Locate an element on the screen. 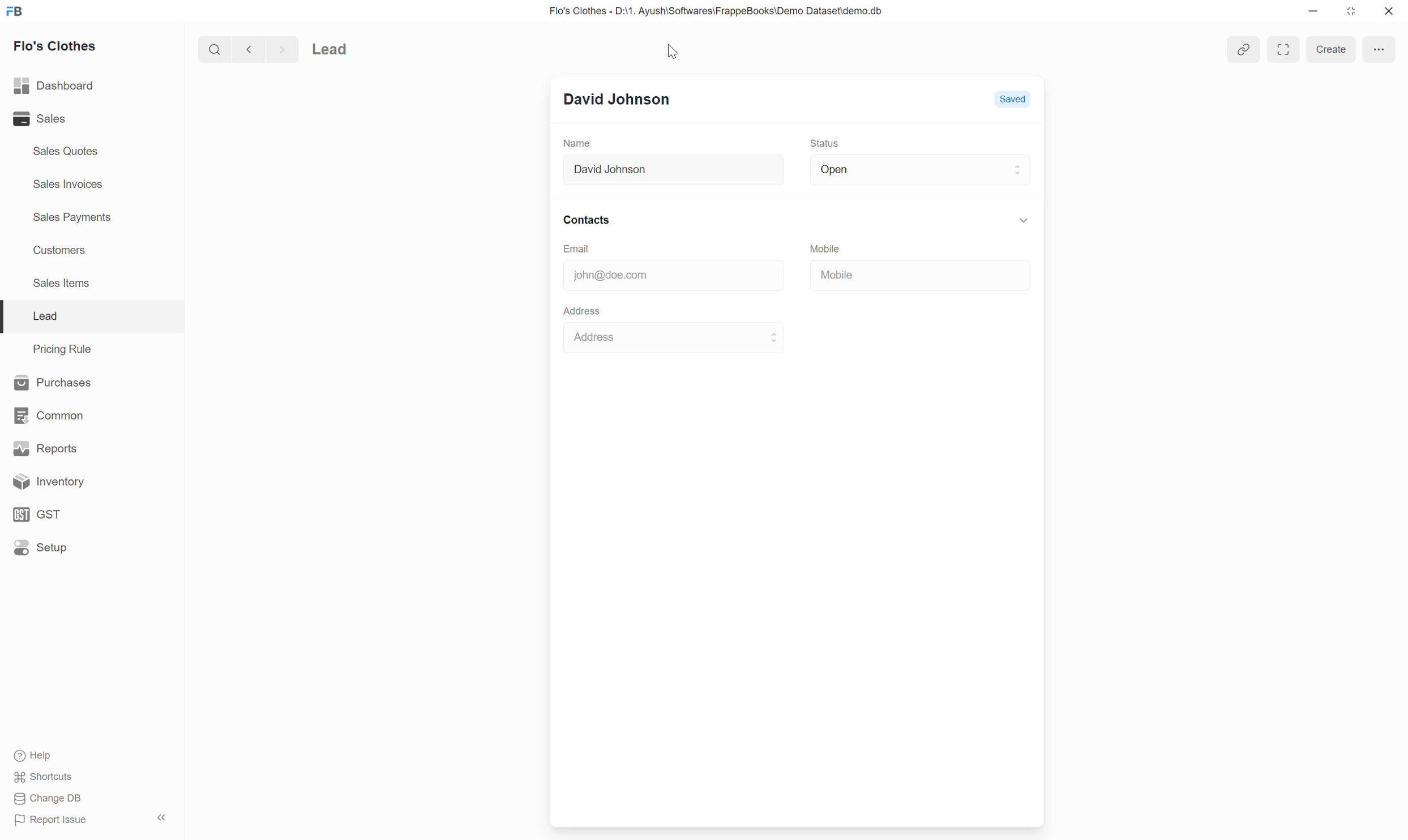 The width and height of the screenshot is (1408, 840). Sales is located at coordinates (40, 119).